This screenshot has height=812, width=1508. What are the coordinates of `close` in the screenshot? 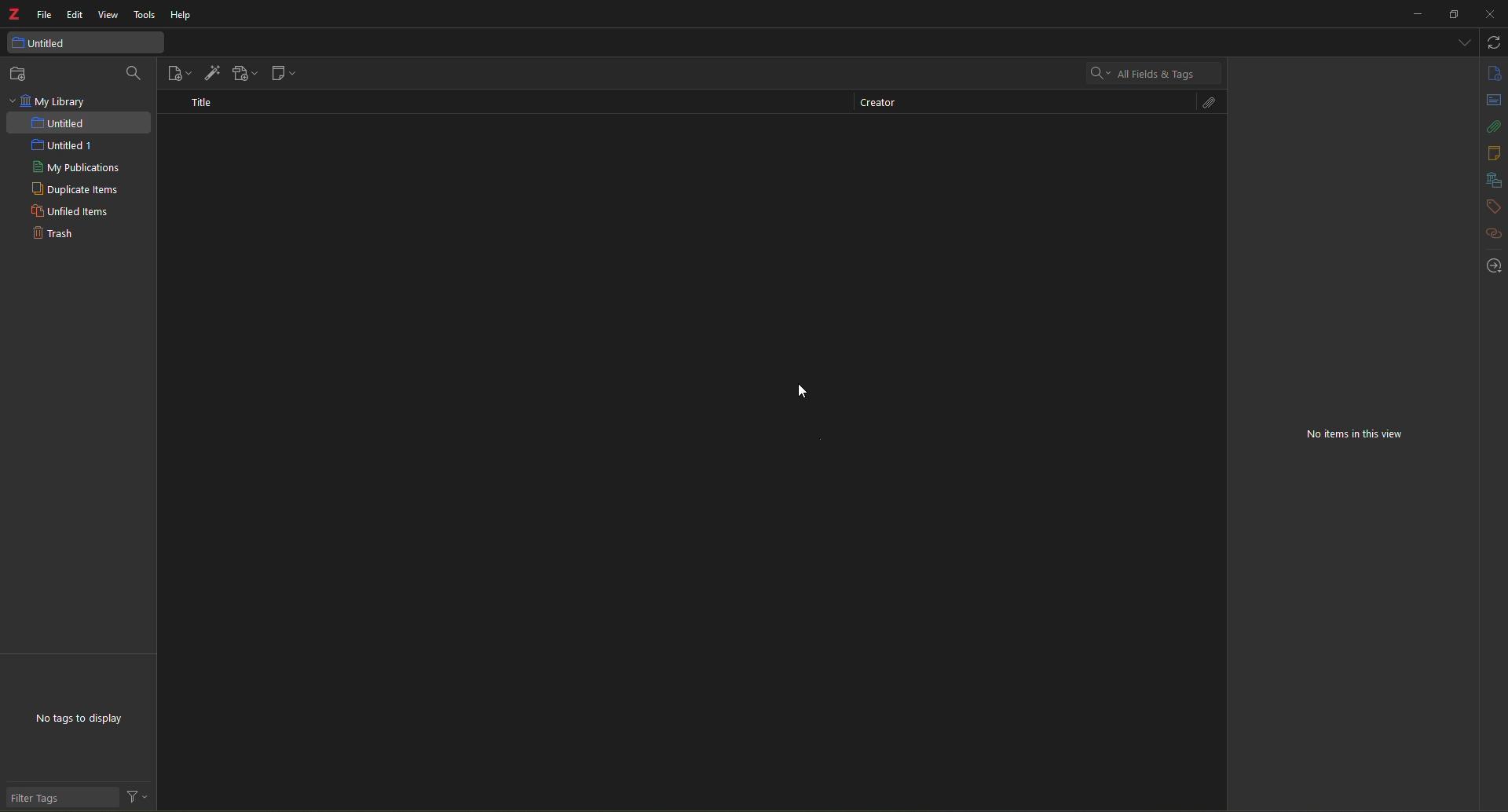 It's located at (1490, 14).